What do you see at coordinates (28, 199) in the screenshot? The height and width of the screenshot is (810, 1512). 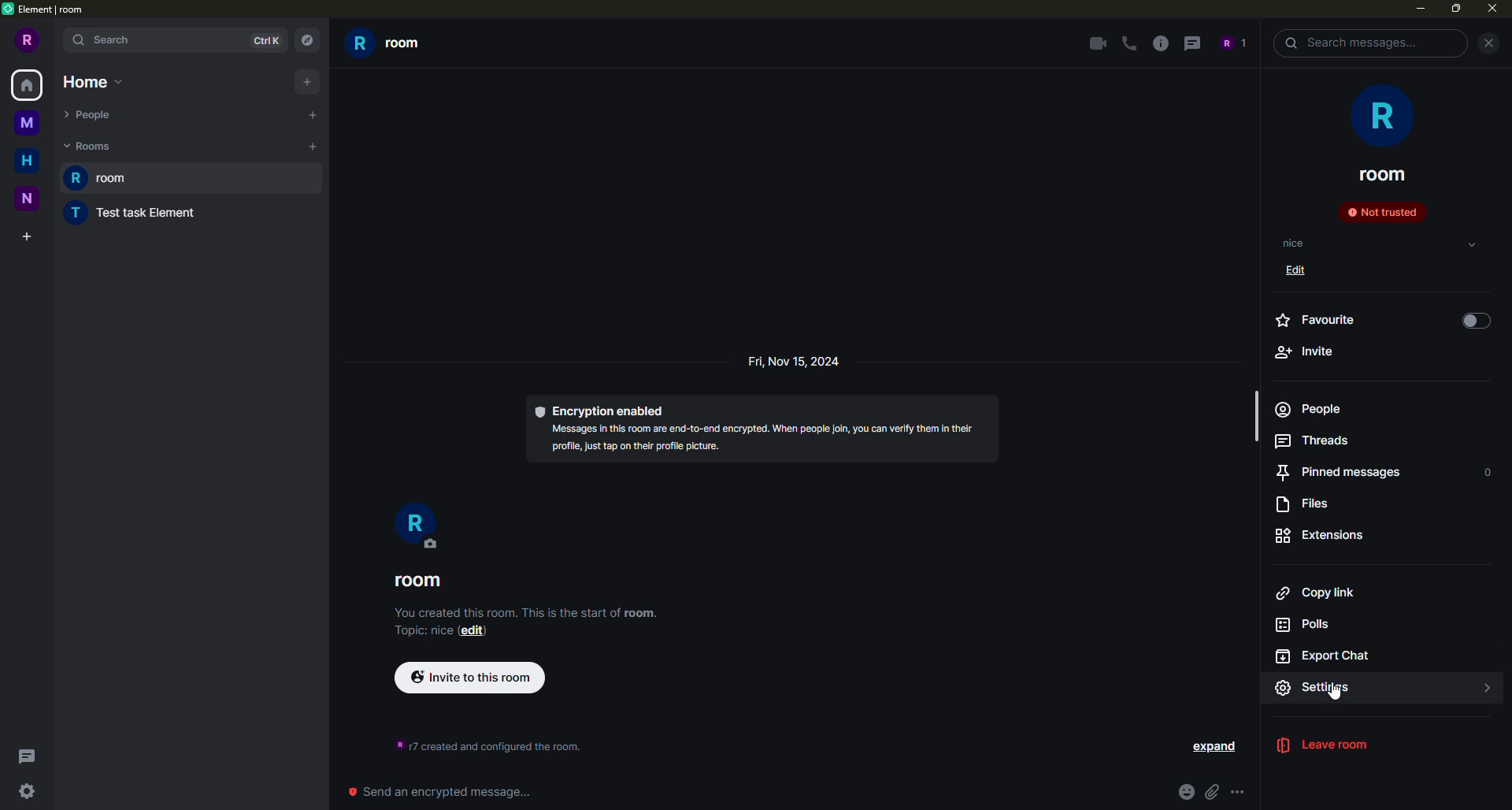 I see `N` at bounding box center [28, 199].